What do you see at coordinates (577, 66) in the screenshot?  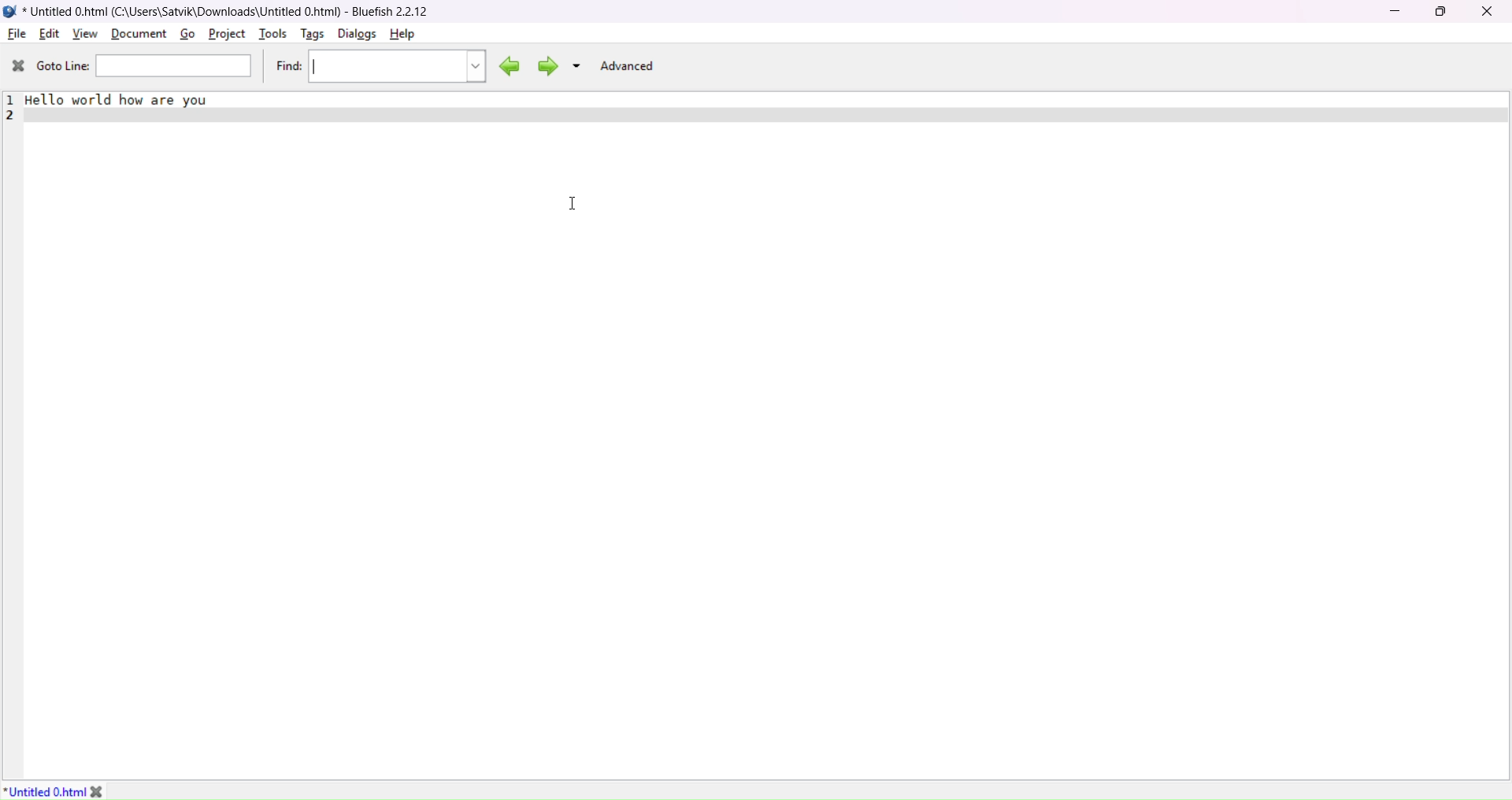 I see `dropdown` at bounding box center [577, 66].